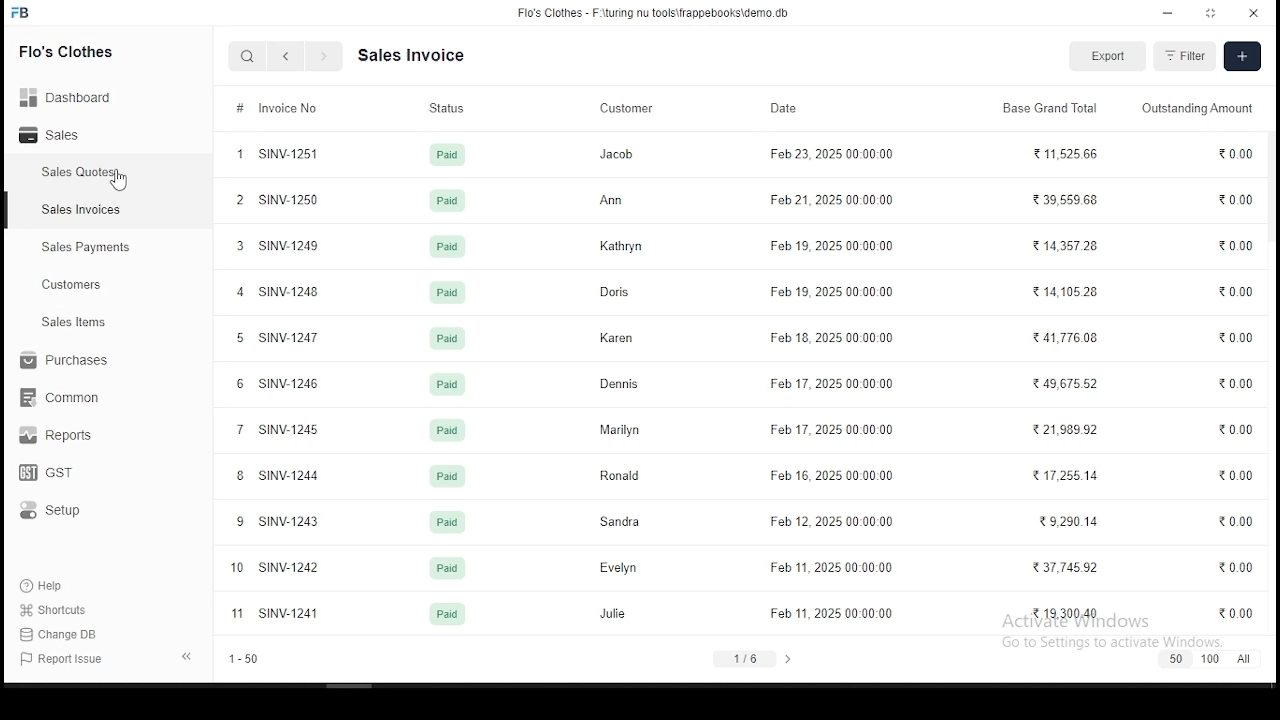  What do you see at coordinates (835, 568) in the screenshot?
I see `Feb 11, 2025 00:00:00` at bounding box center [835, 568].